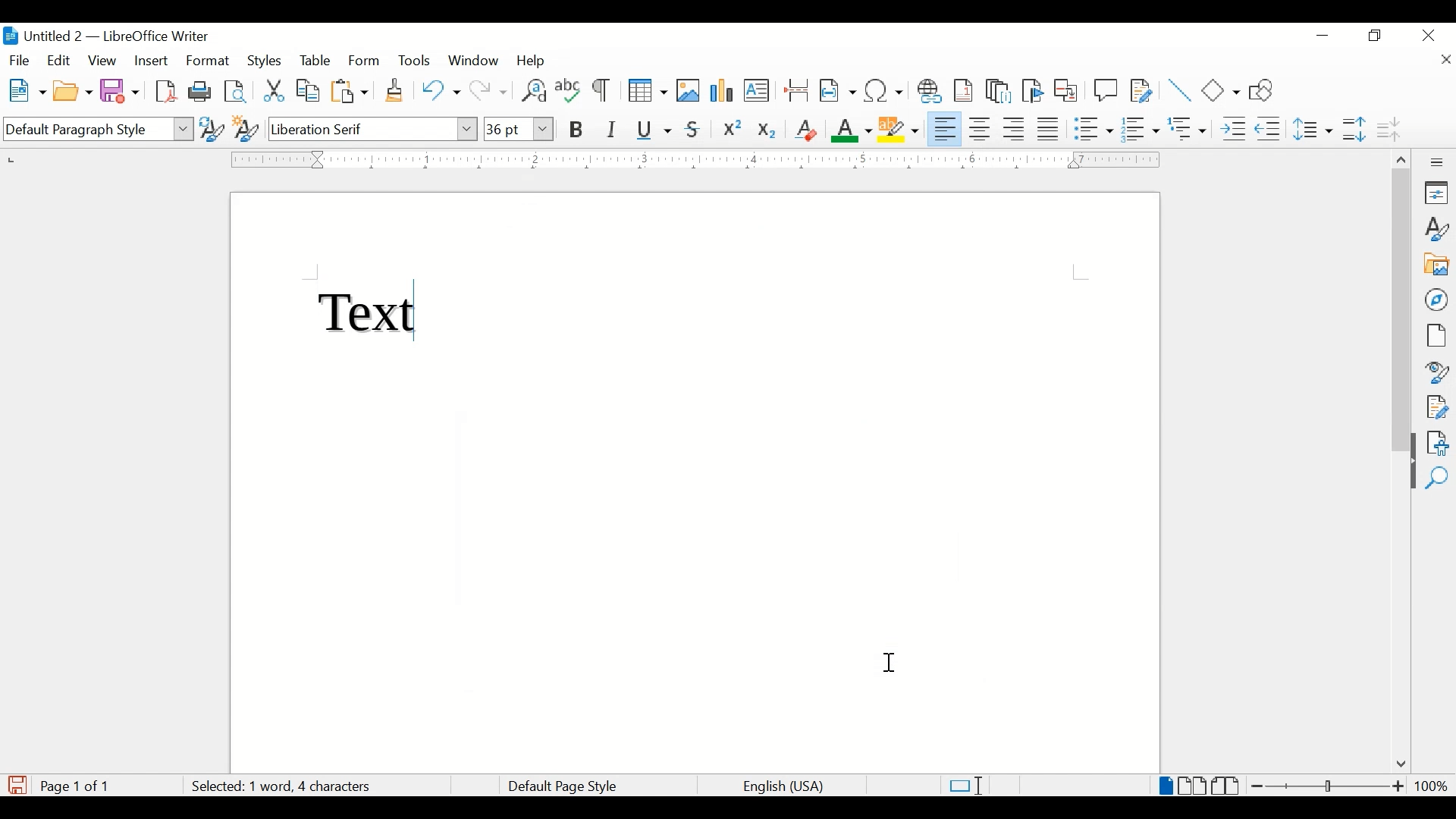 The width and height of the screenshot is (1456, 819). What do you see at coordinates (577, 130) in the screenshot?
I see `bold` at bounding box center [577, 130].